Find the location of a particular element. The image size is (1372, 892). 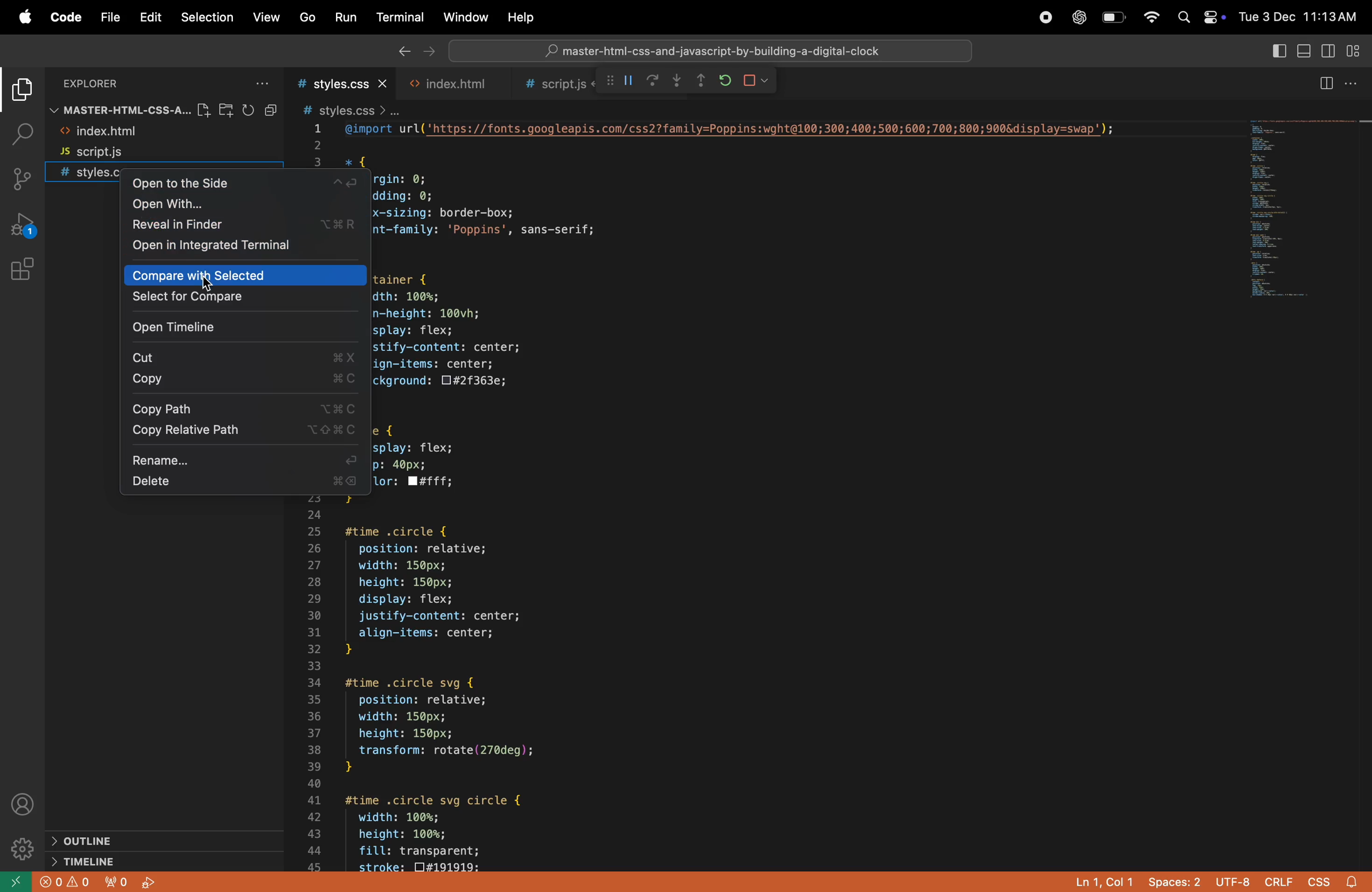

terminal is located at coordinates (398, 16).